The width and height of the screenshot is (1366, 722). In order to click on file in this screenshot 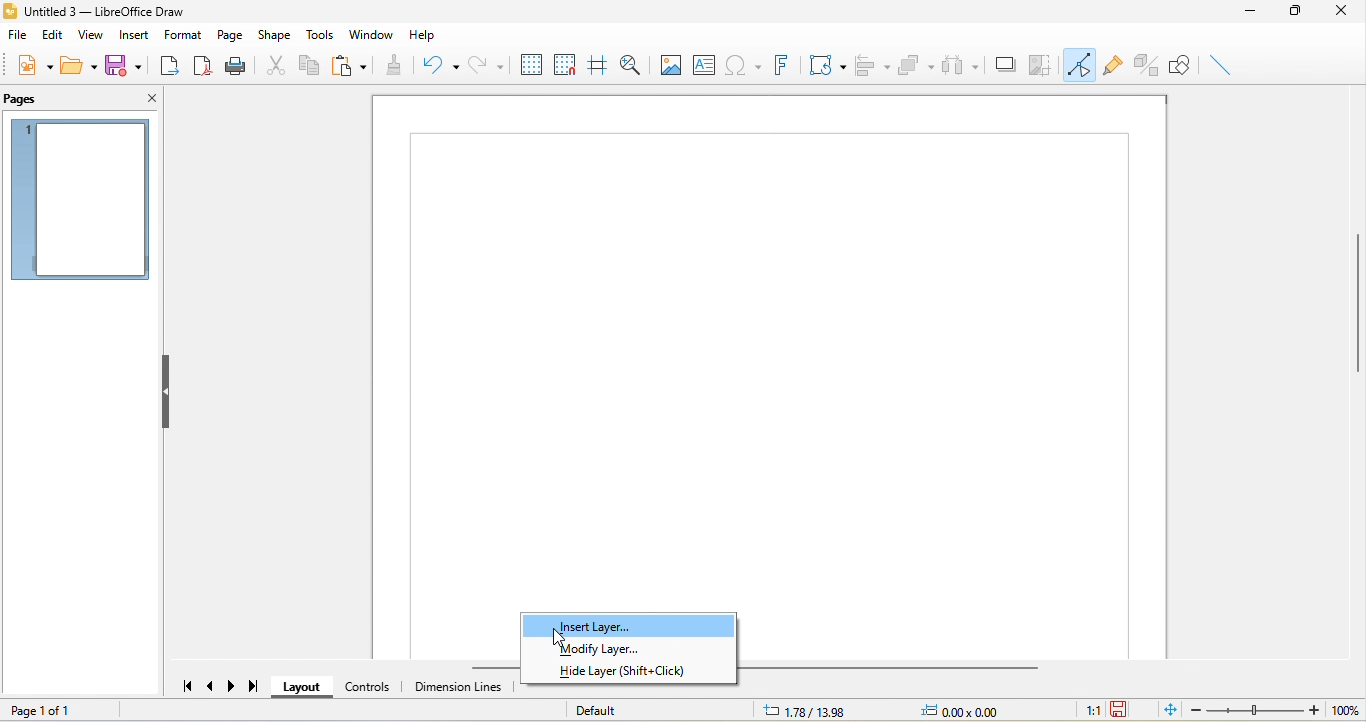, I will do `click(17, 36)`.